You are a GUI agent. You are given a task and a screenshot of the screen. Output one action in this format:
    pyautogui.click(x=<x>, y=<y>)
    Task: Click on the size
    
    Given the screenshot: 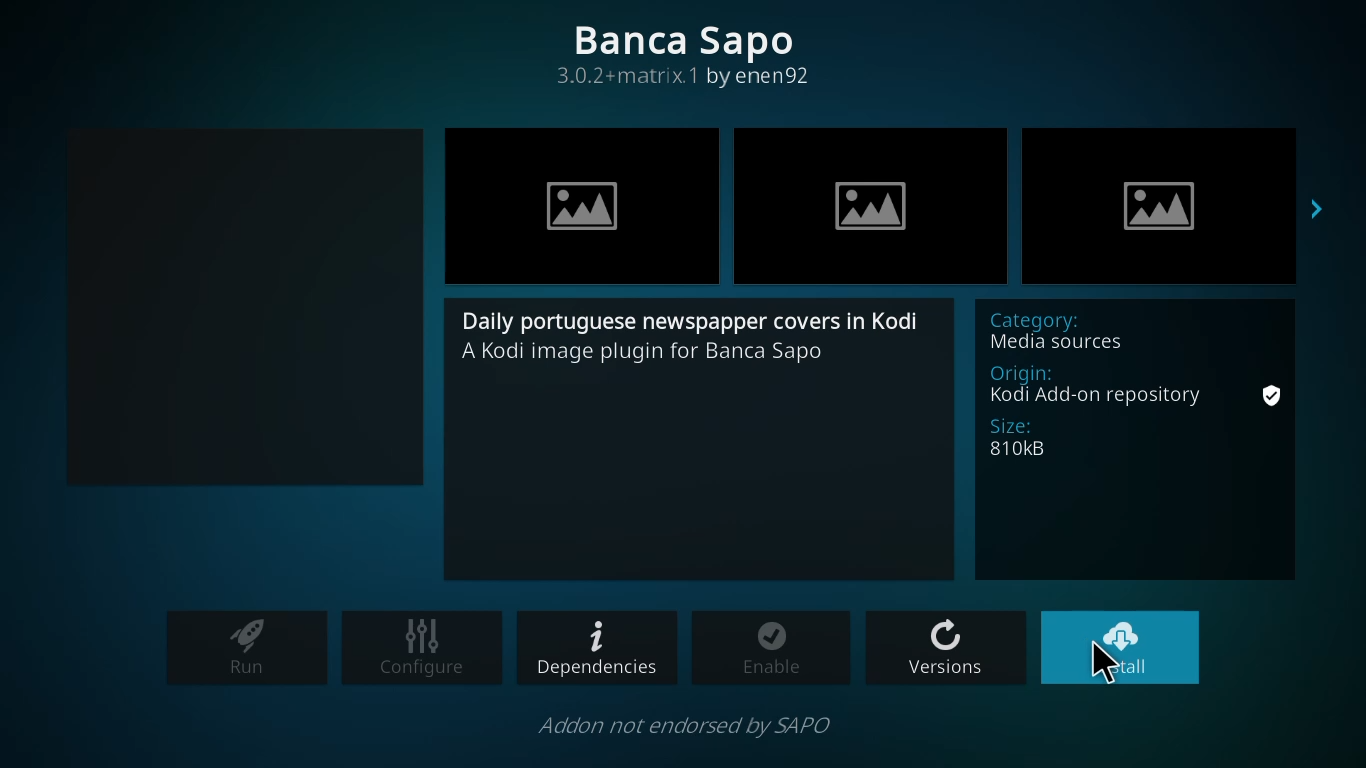 What is the action you would take?
    pyautogui.click(x=1043, y=439)
    